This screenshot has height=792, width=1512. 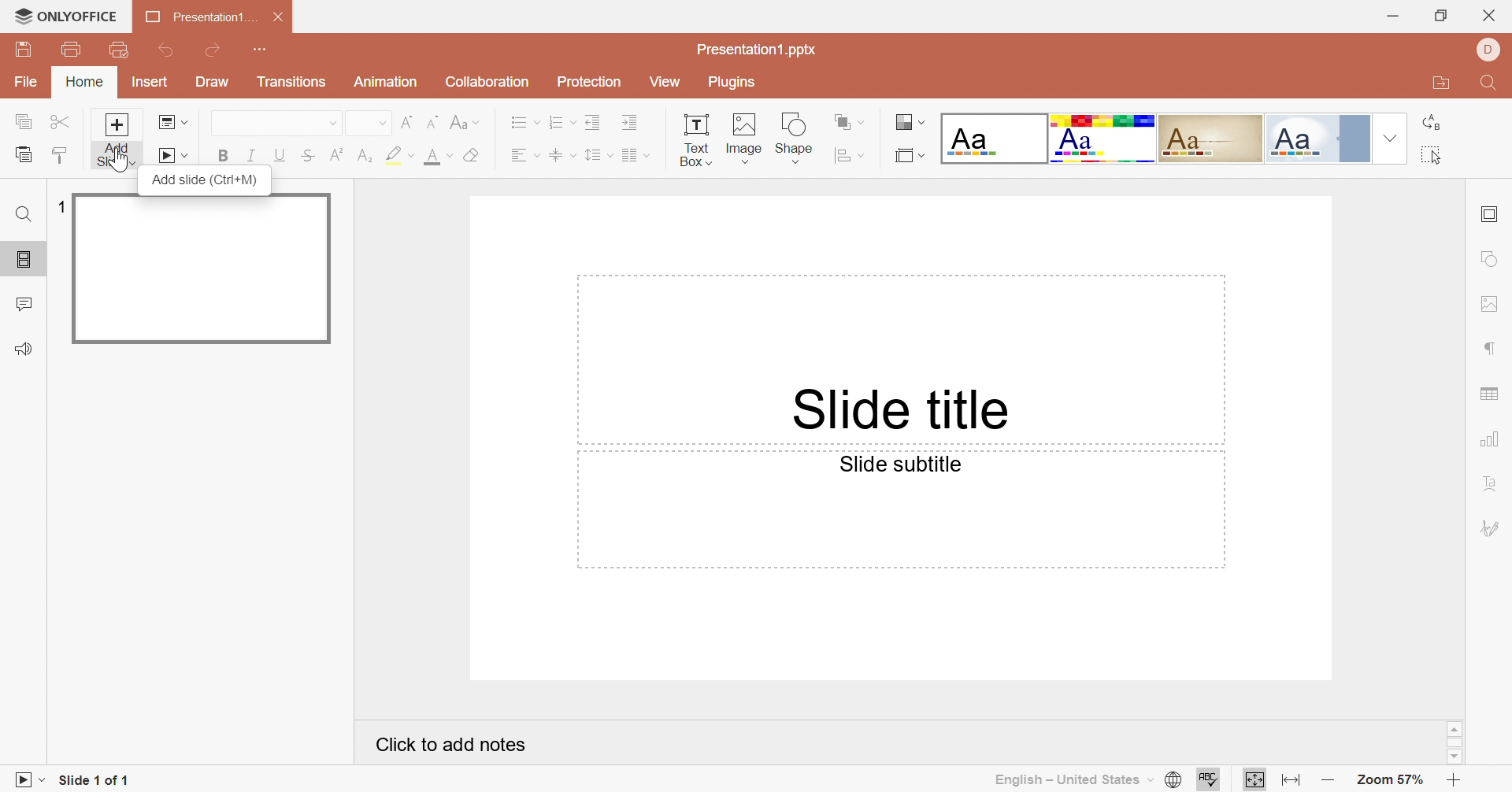 What do you see at coordinates (115, 164) in the screenshot?
I see `cursor` at bounding box center [115, 164].